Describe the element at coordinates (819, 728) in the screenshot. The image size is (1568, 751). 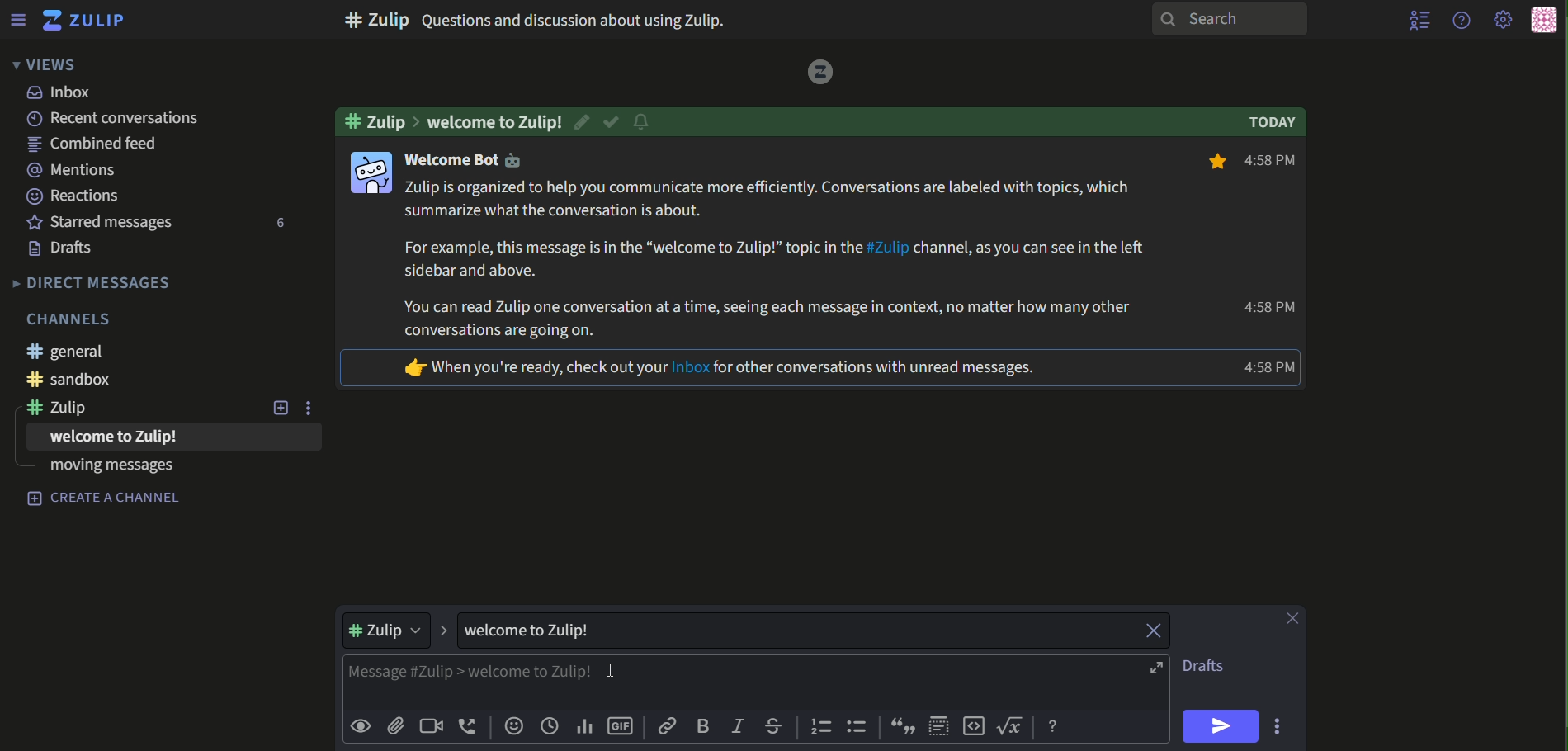
I see `number formatting` at that location.